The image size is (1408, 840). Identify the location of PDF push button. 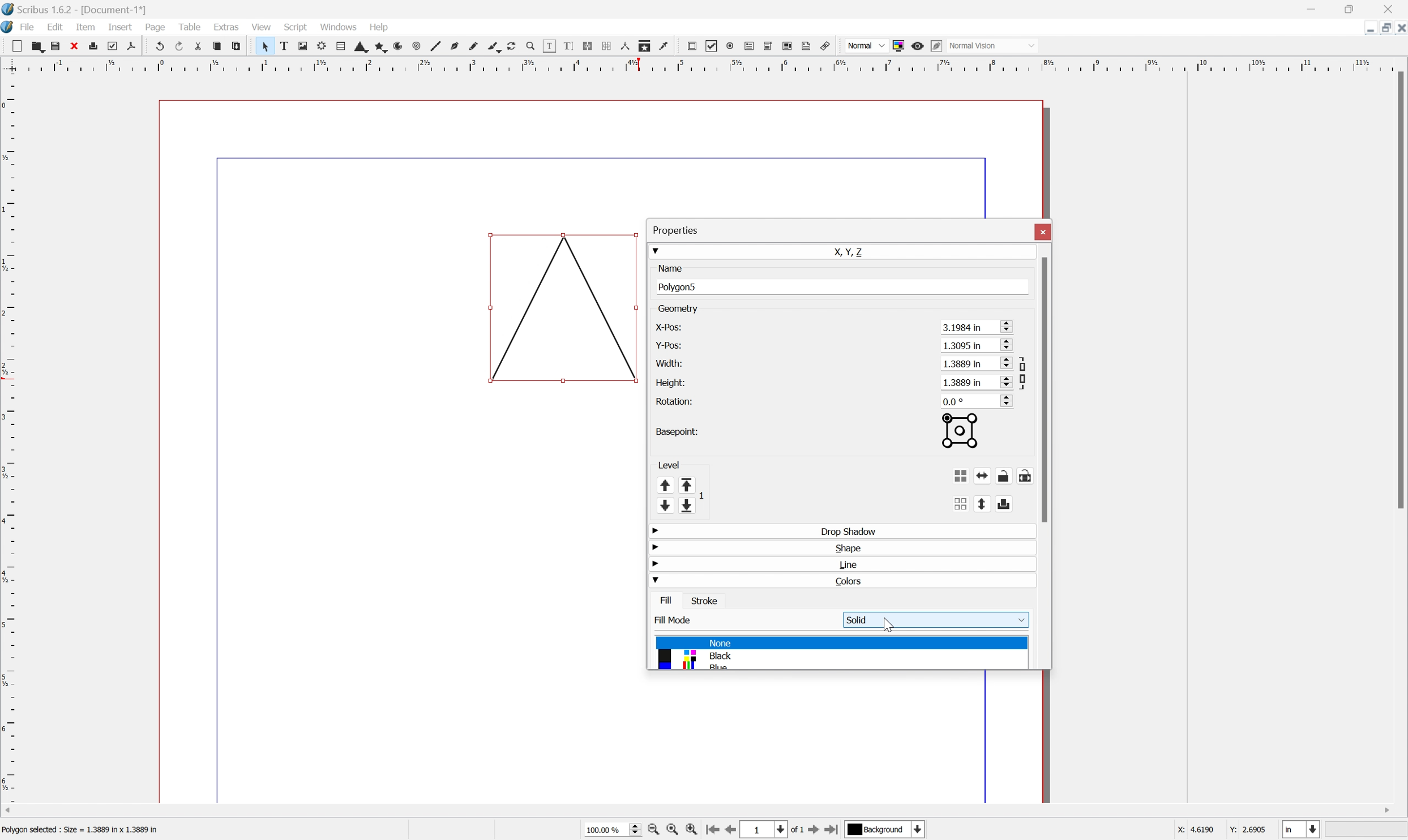
(691, 47).